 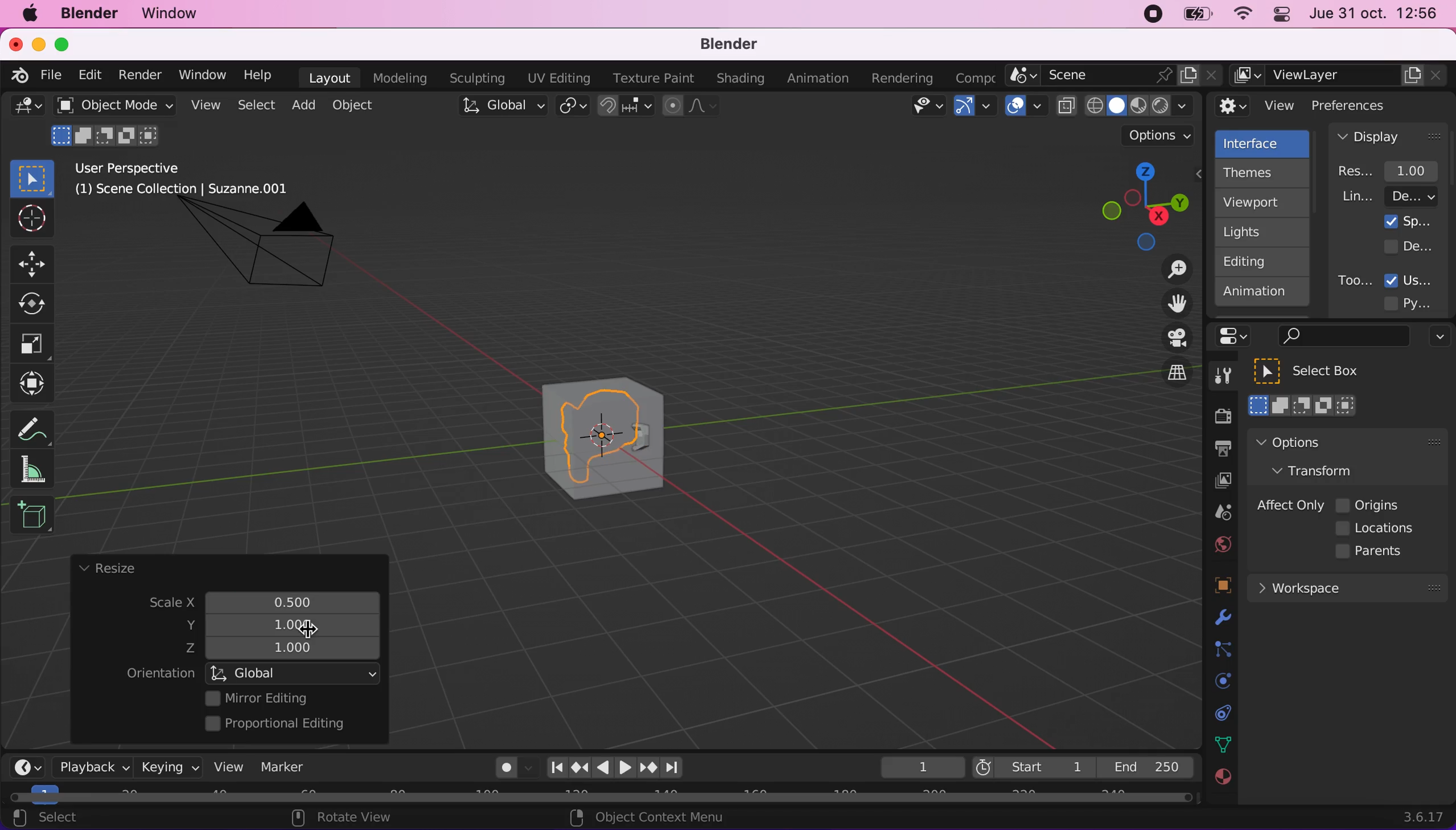 What do you see at coordinates (353, 819) in the screenshot?
I see `rotate view` at bounding box center [353, 819].